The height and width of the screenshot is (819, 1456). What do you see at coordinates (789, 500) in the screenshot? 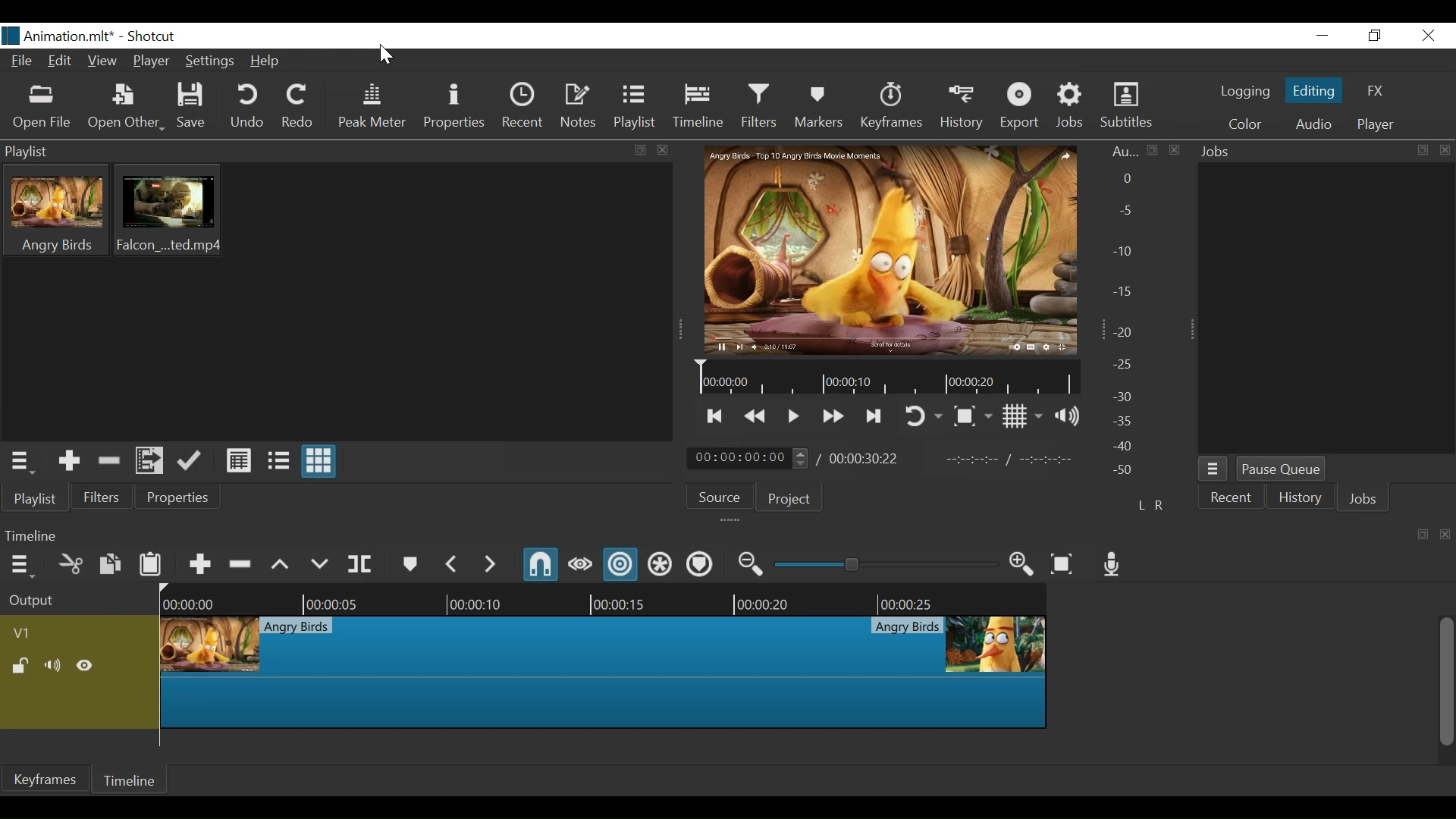
I see `Project` at bounding box center [789, 500].